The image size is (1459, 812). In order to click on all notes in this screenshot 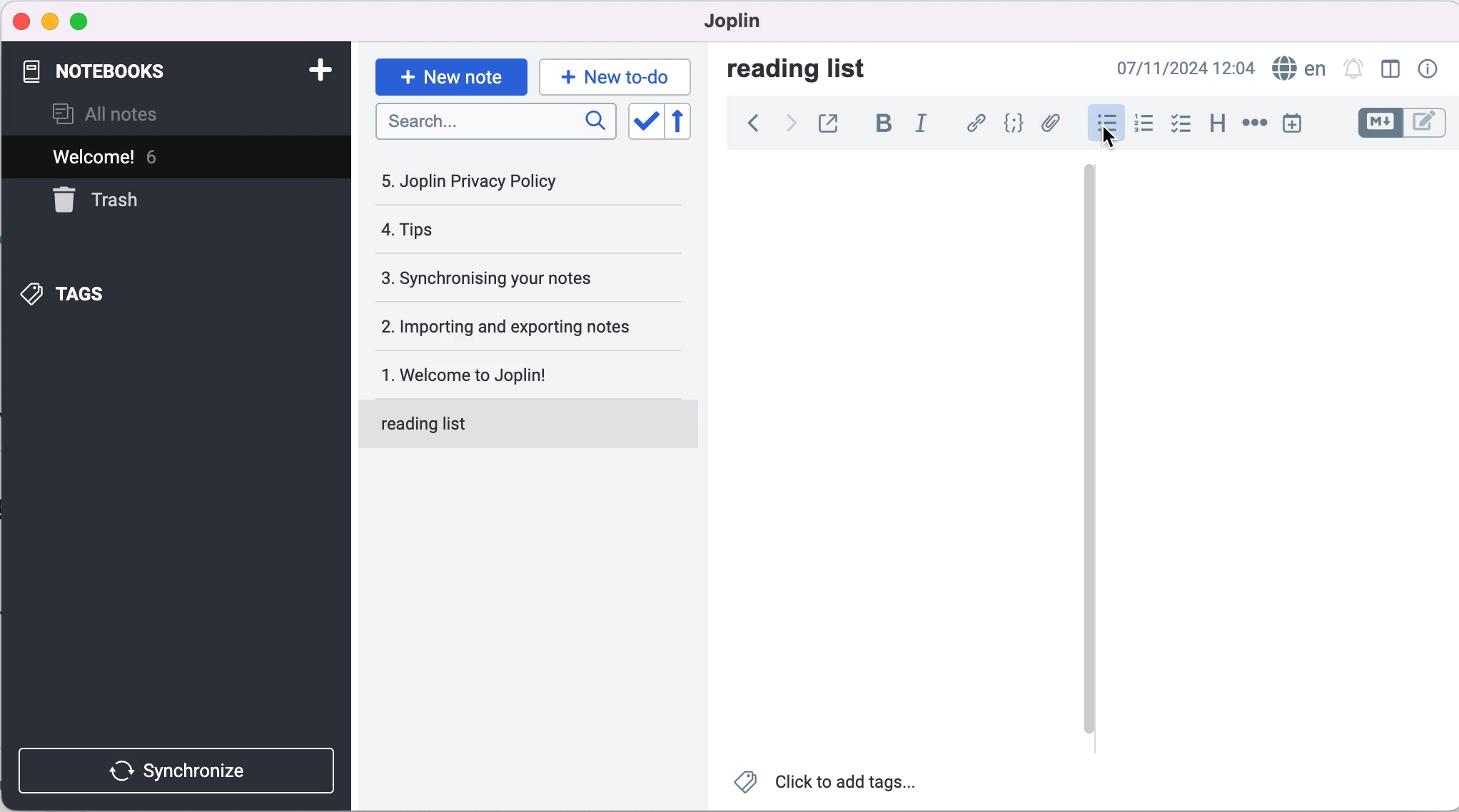, I will do `click(127, 113)`.